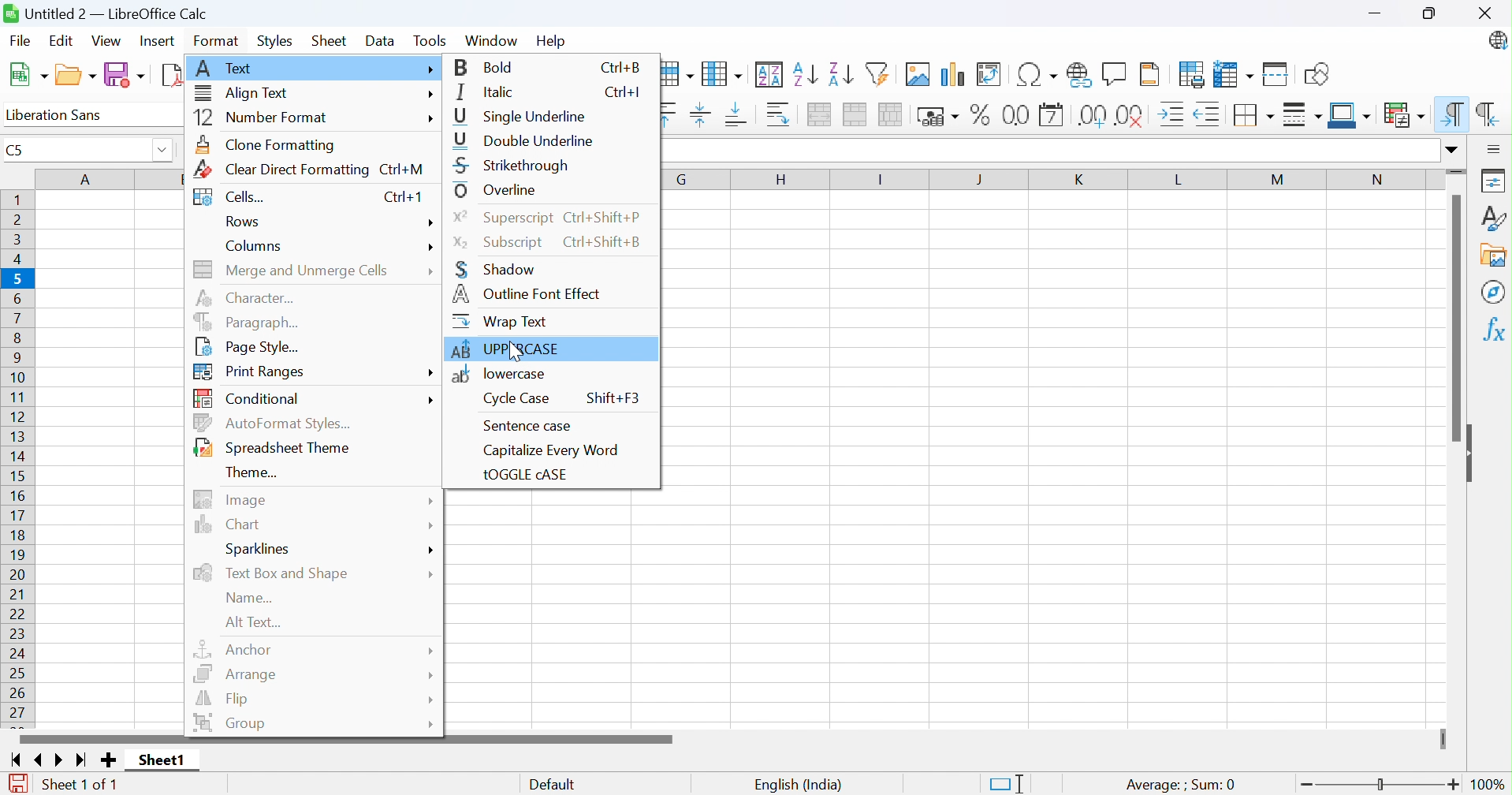 Image resolution: width=1512 pixels, height=795 pixels. Describe the element at coordinates (21, 39) in the screenshot. I see `File` at that location.